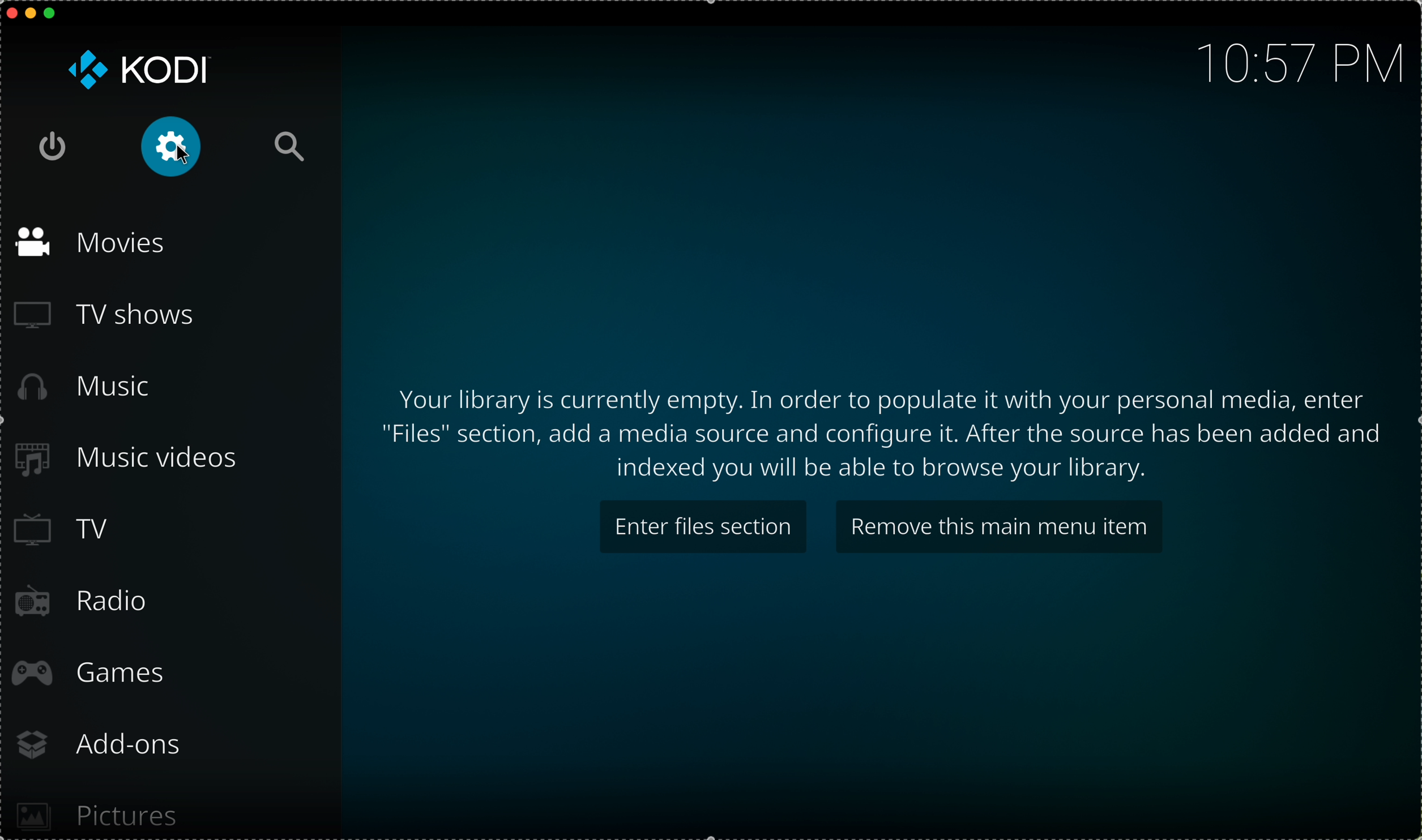 The height and width of the screenshot is (840, 1422). I want to click on search, so click(288, 147).